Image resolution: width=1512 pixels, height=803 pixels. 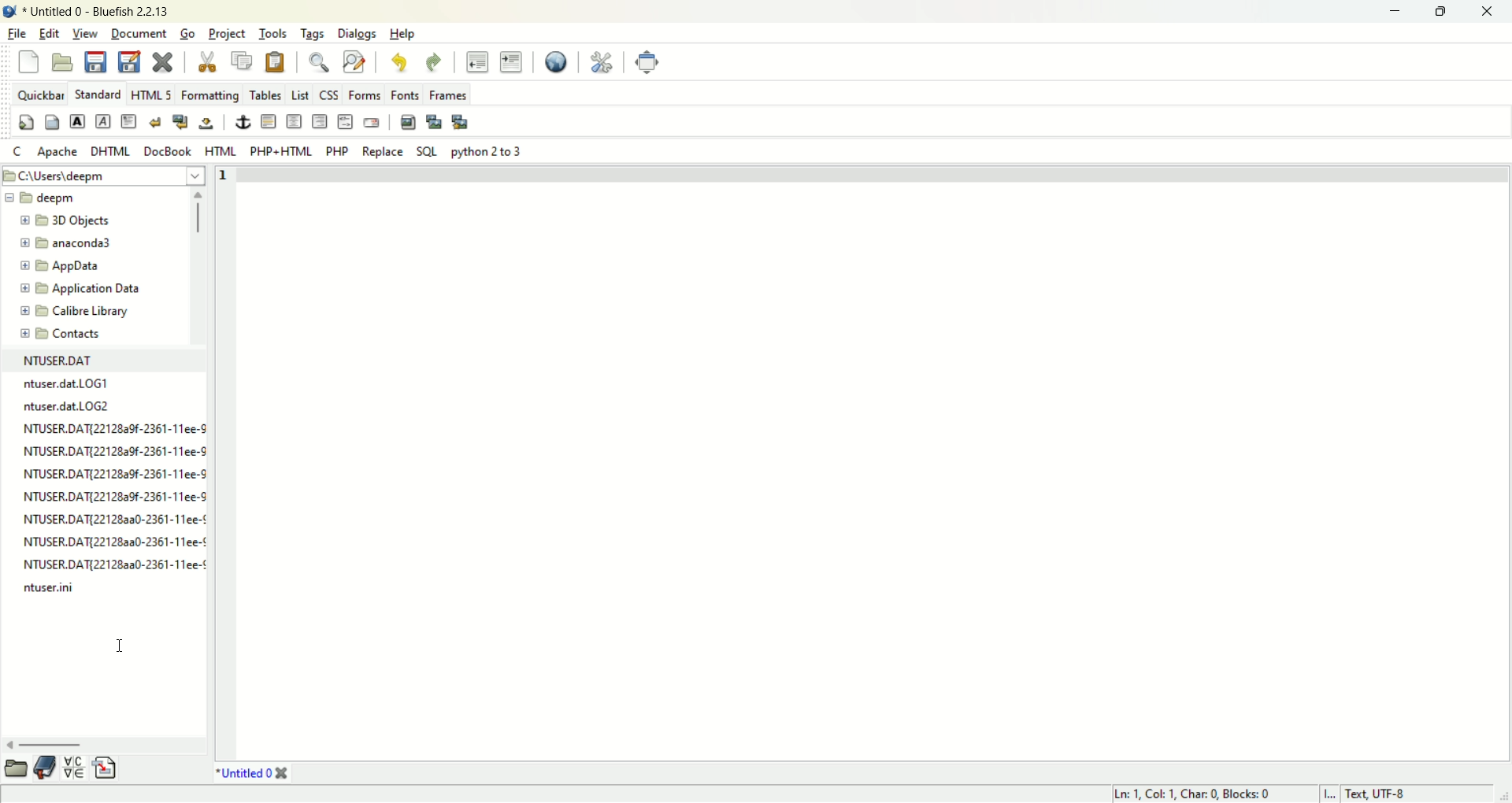 I want to click on c, so click(x=17, y=152).